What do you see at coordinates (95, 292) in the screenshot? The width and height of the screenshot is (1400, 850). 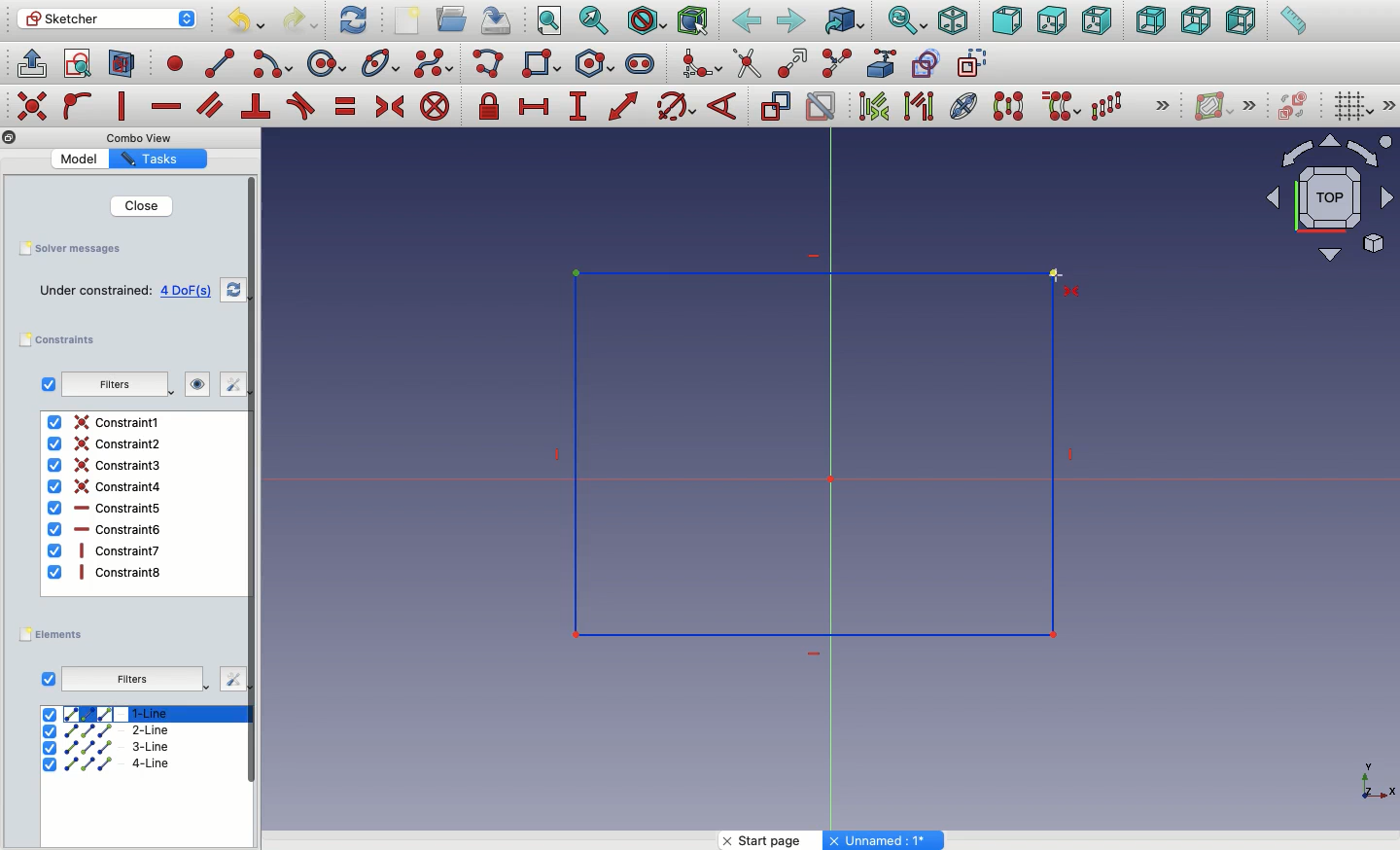 I see `Under constrained:` at bounding box center [95, 292].